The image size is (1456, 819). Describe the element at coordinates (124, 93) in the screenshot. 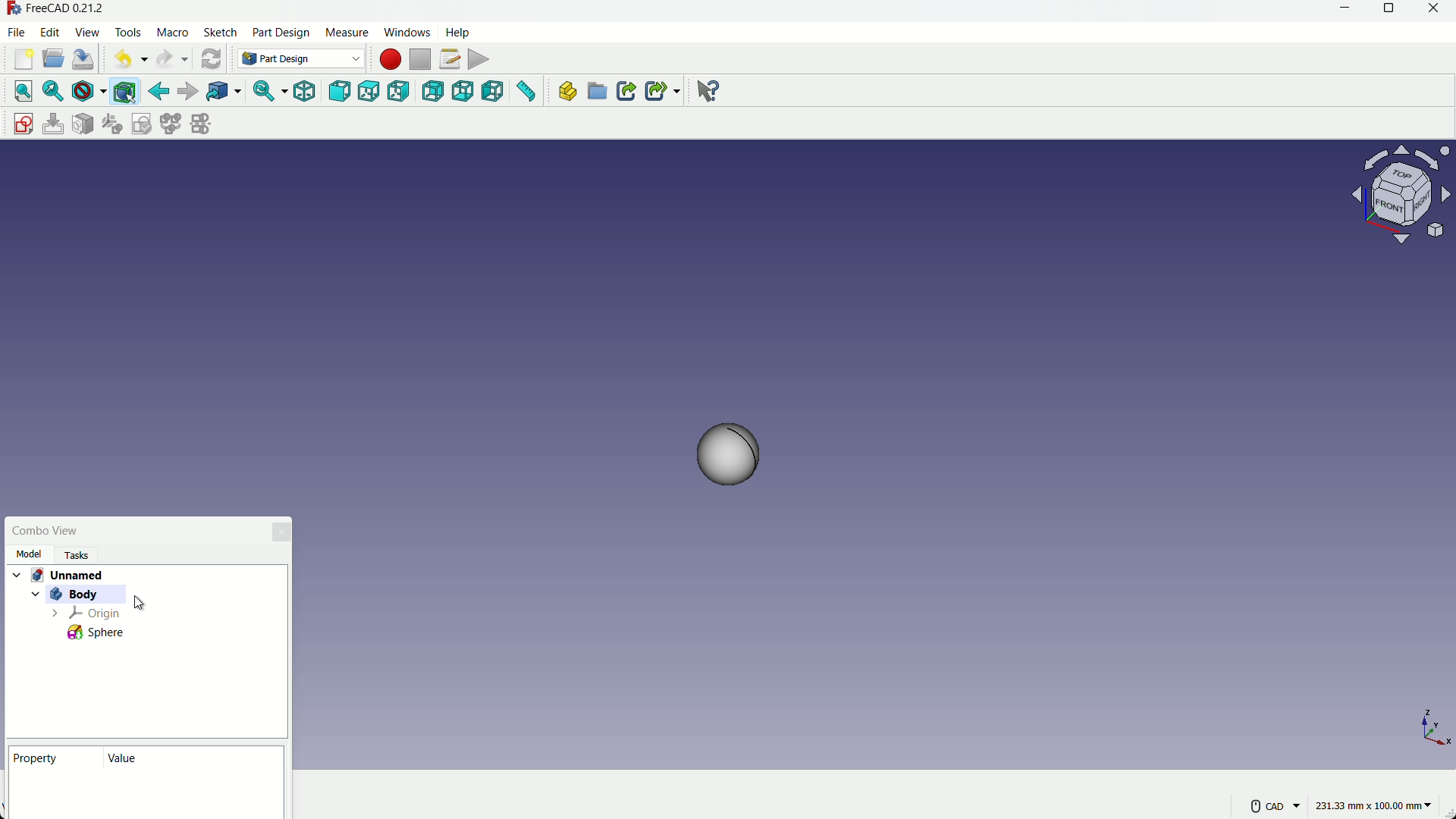

I see `bounding box` at that location.